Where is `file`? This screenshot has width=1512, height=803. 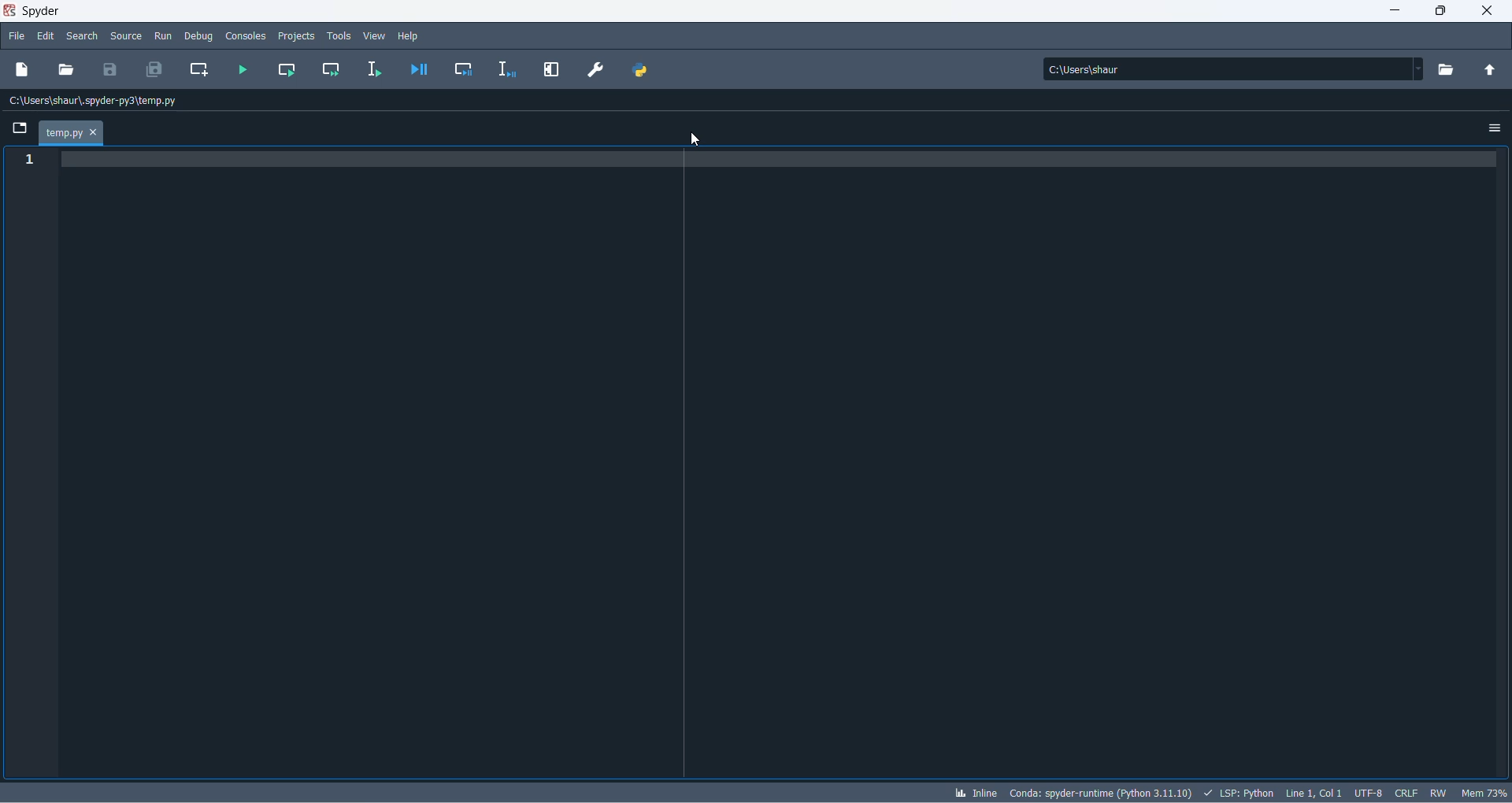
file is located at coordinates (18, 35).